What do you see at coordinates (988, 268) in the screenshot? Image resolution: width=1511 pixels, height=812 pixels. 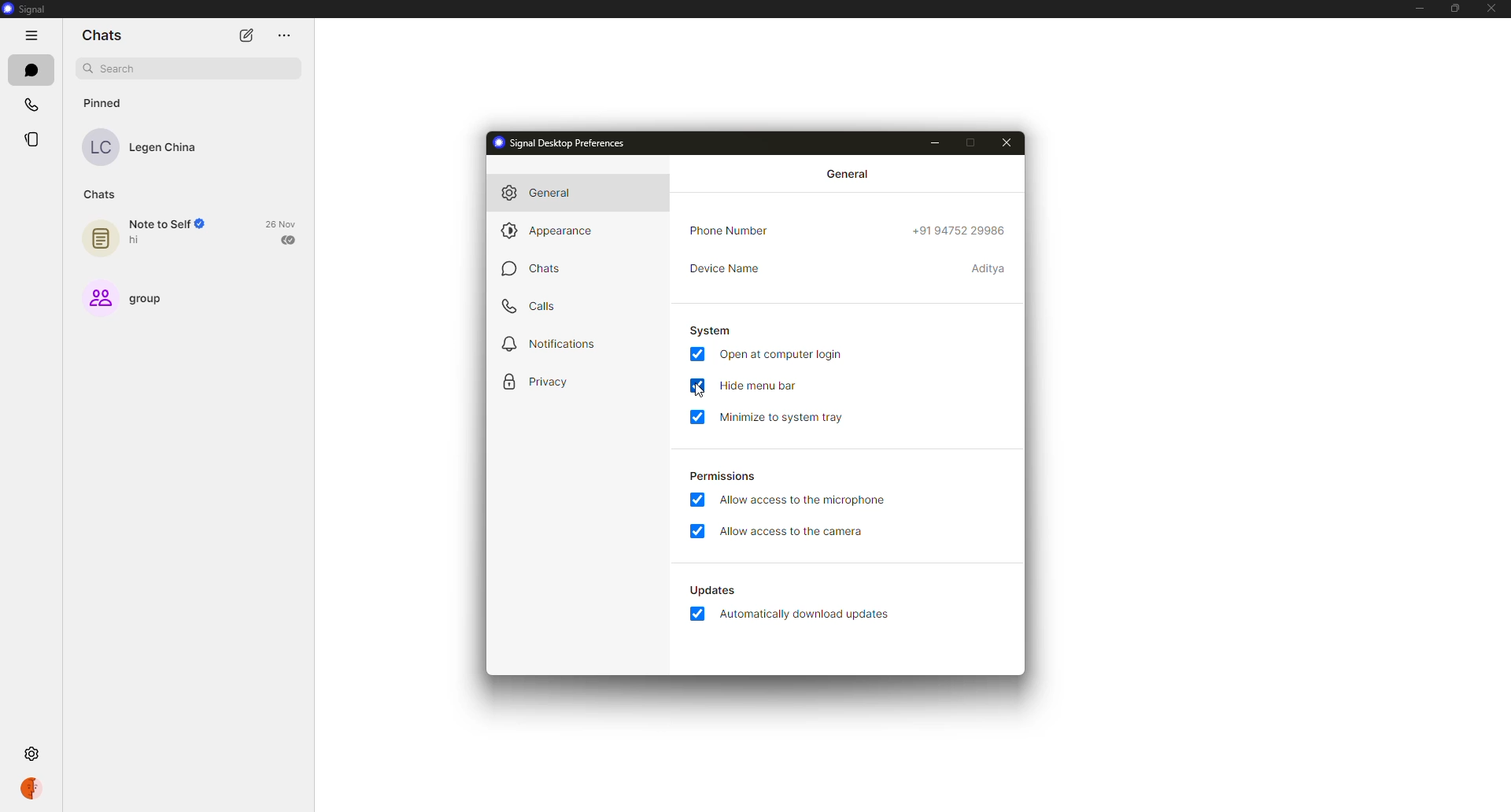 I see `device name` at bounding box center [988, 268].